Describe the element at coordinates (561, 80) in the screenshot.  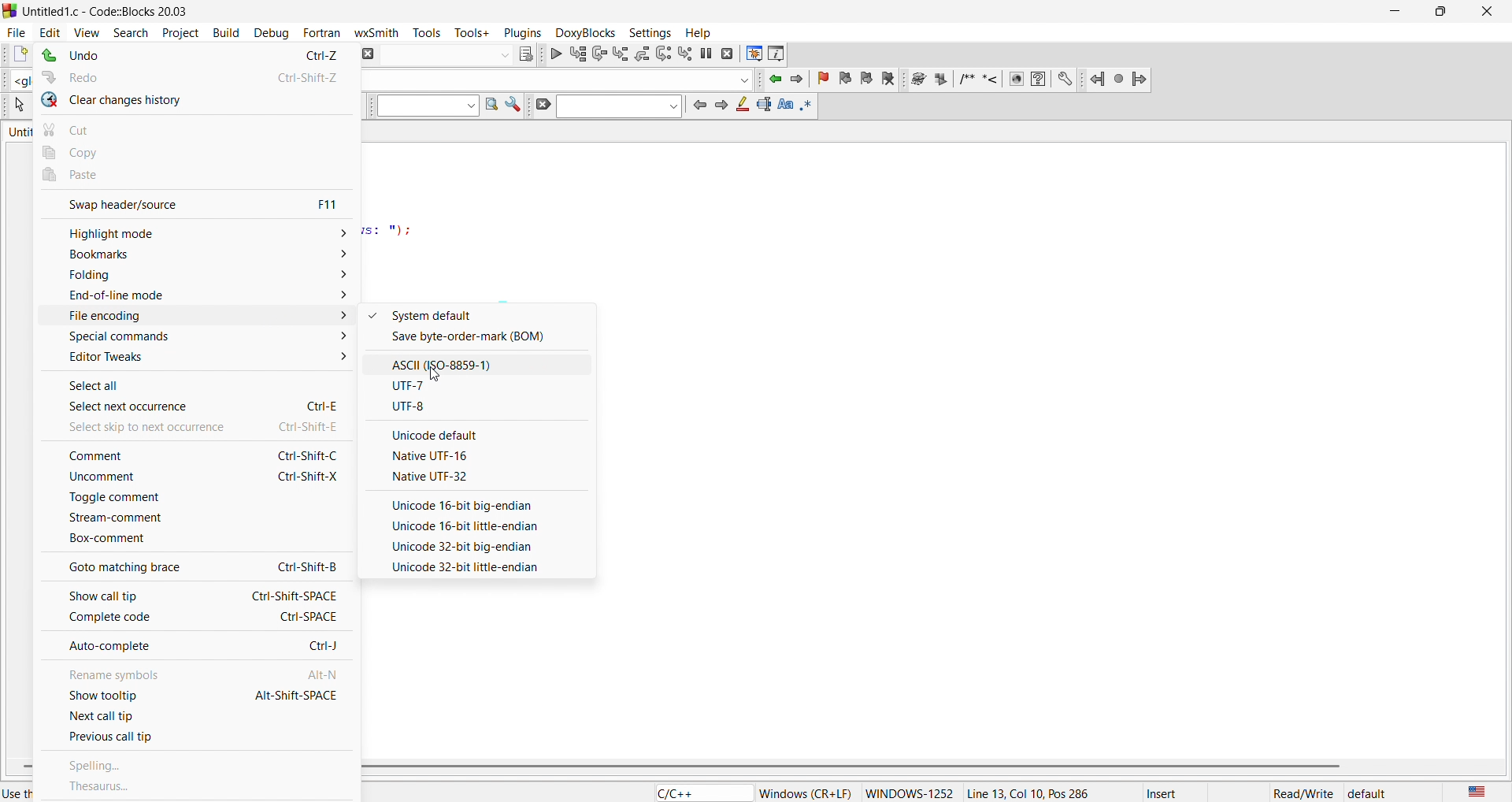
I see `function name` at that location.